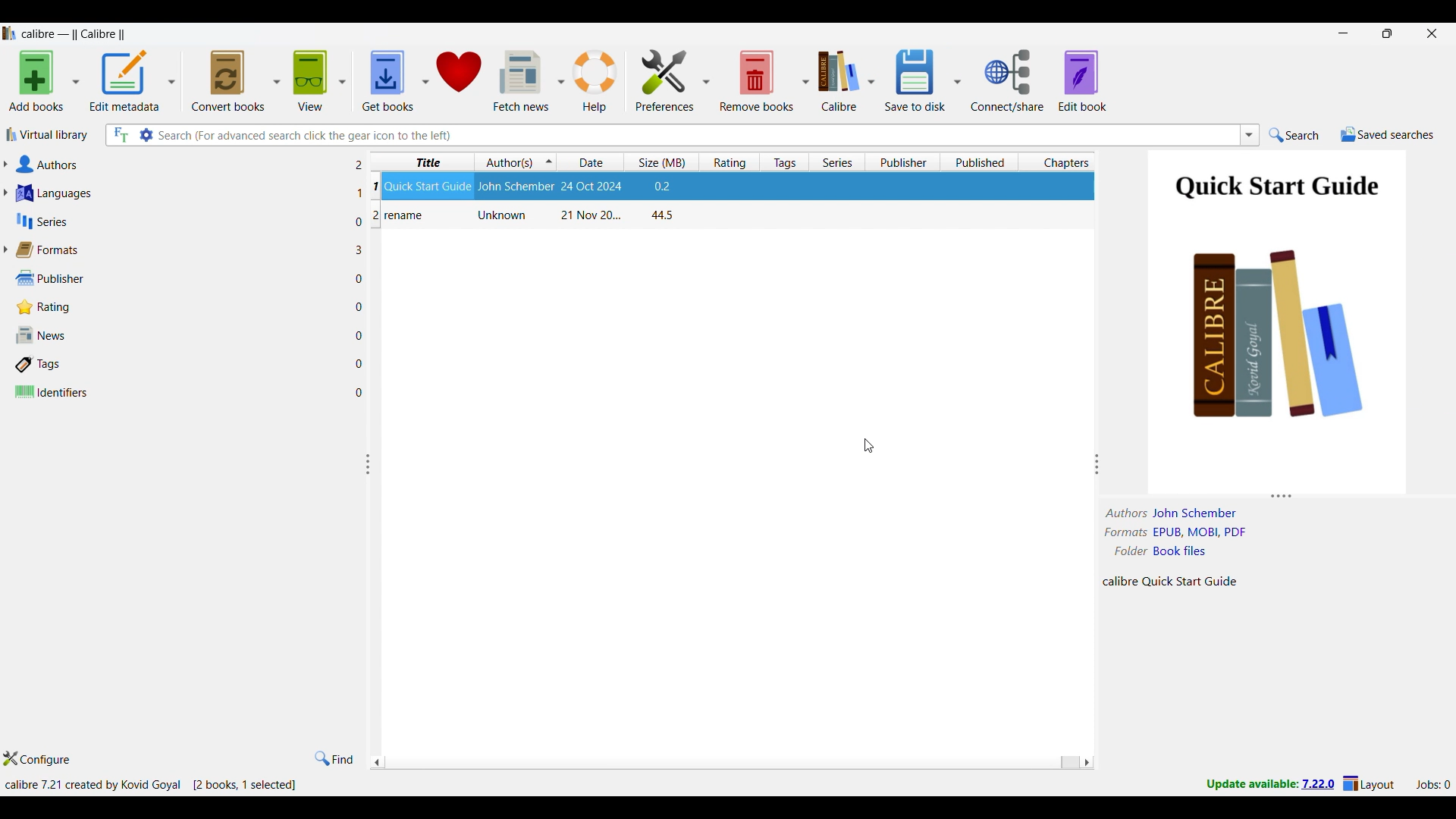 The height and width of the screenshot is (819, 1456). What do you see at coordinates (588, 215) in the screenshot?
I see `Date` at bounding box center [588, 215].